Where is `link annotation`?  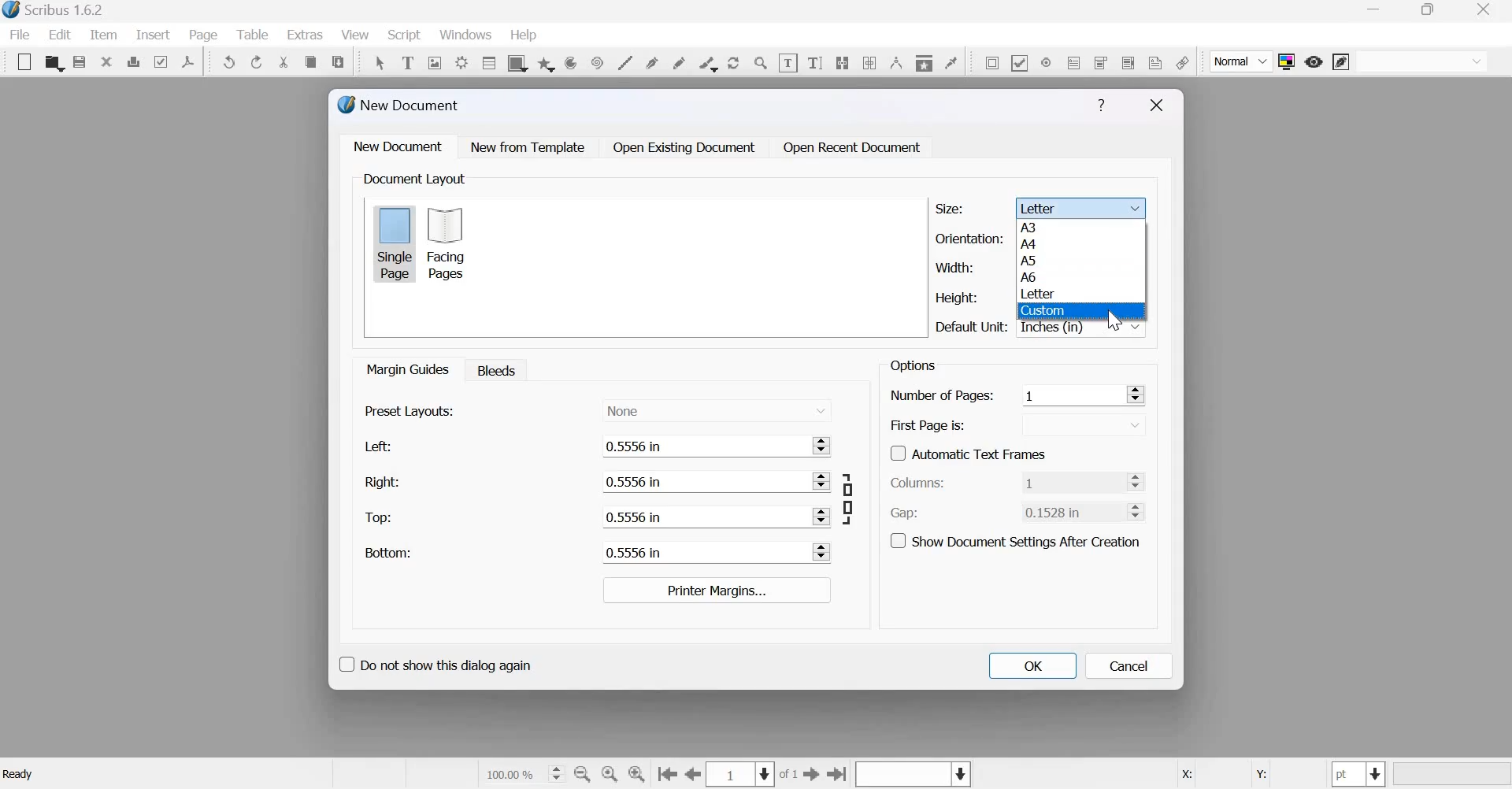 link annotation is located at coordinates (1182, 62).